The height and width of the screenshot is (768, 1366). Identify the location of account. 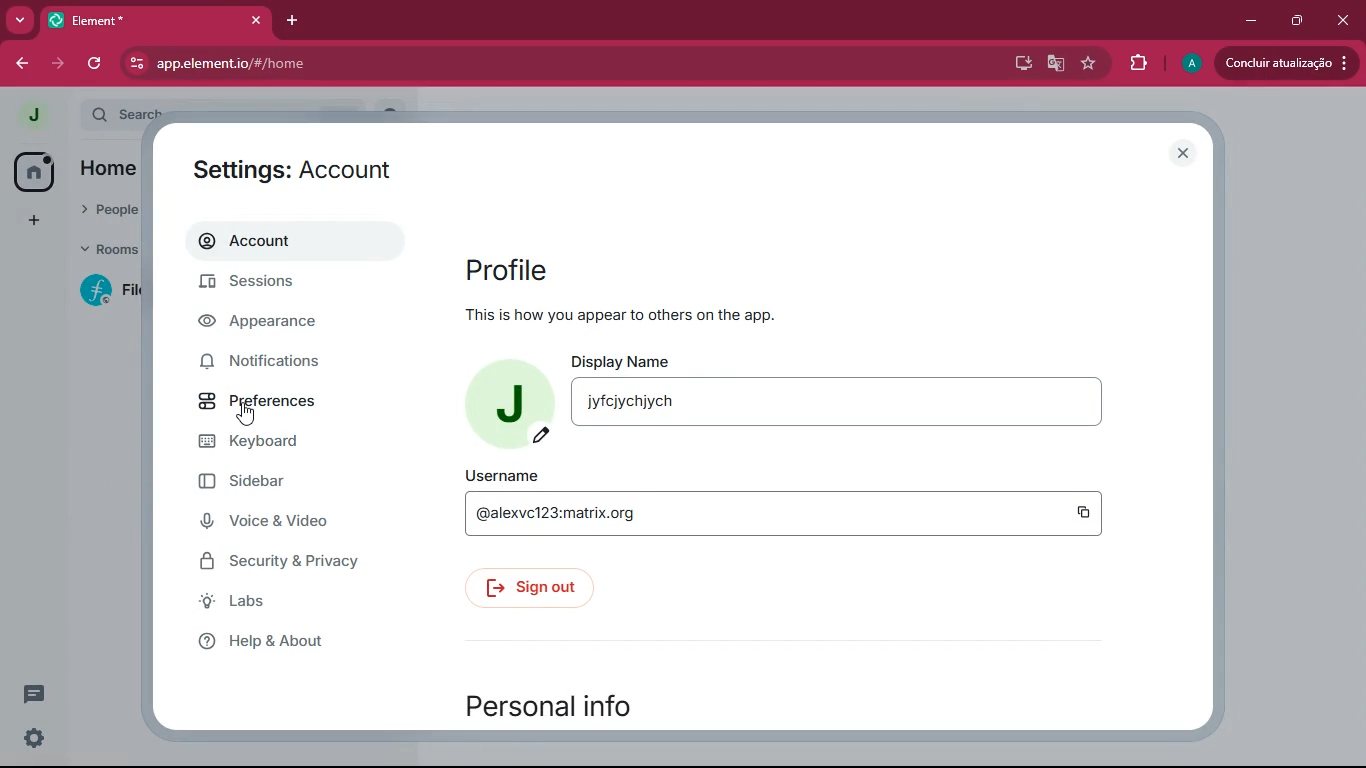
(277, 246).